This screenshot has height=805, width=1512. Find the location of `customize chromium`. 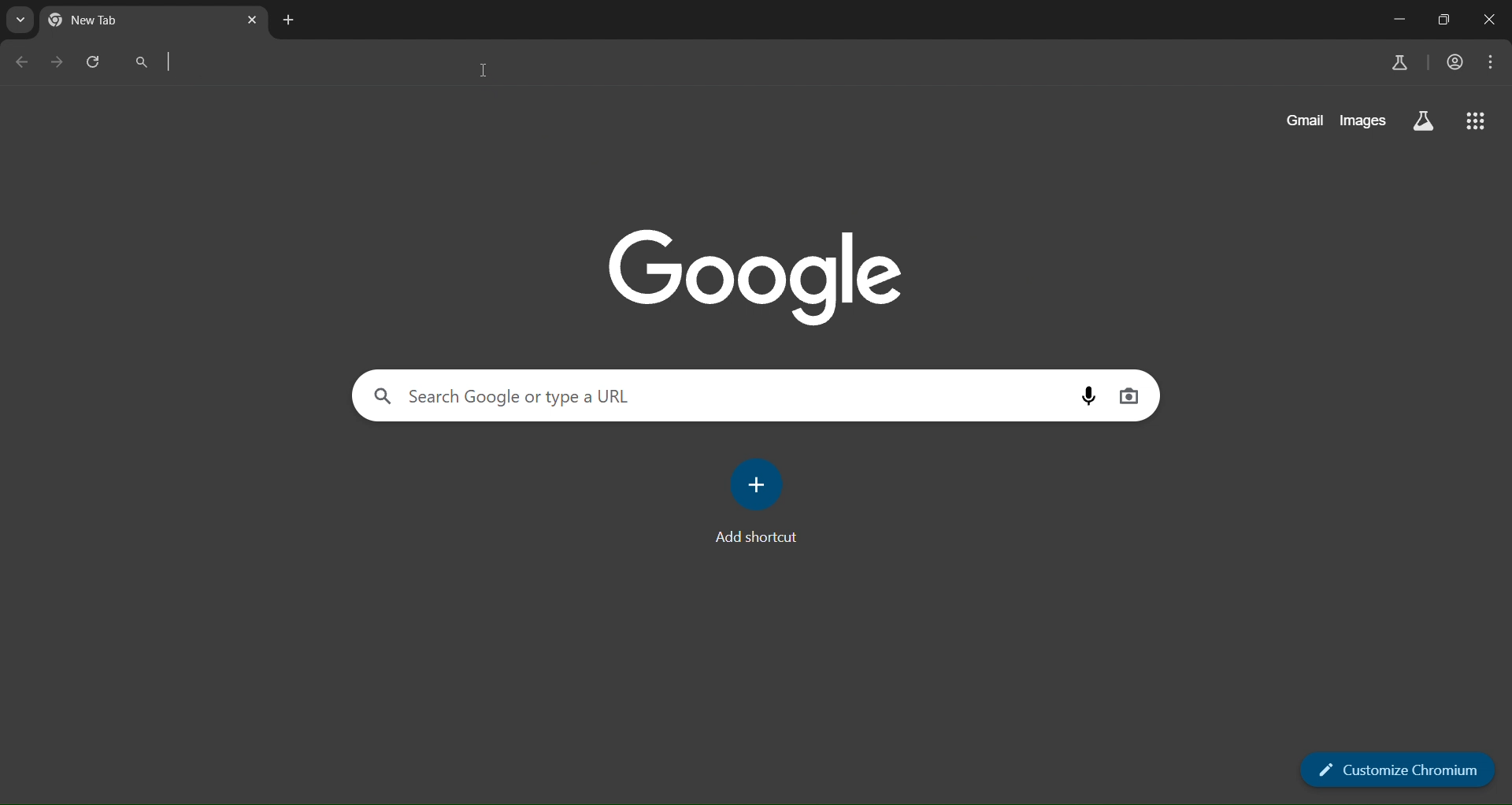

customize chromium is located at coordinates (1402, 770).